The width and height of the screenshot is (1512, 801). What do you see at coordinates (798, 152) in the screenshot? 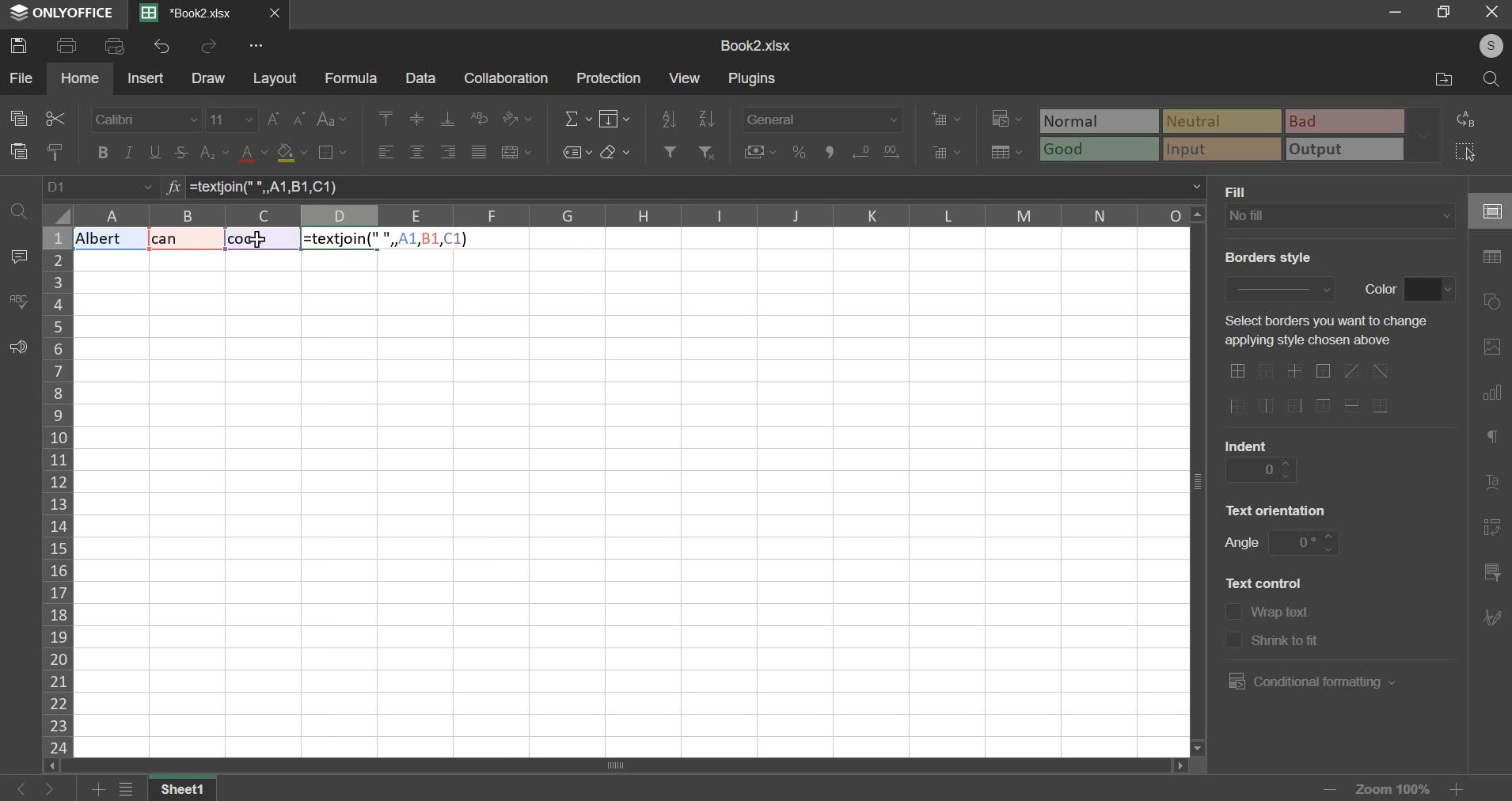
I see `percentage` at bounding box center [798, 152].